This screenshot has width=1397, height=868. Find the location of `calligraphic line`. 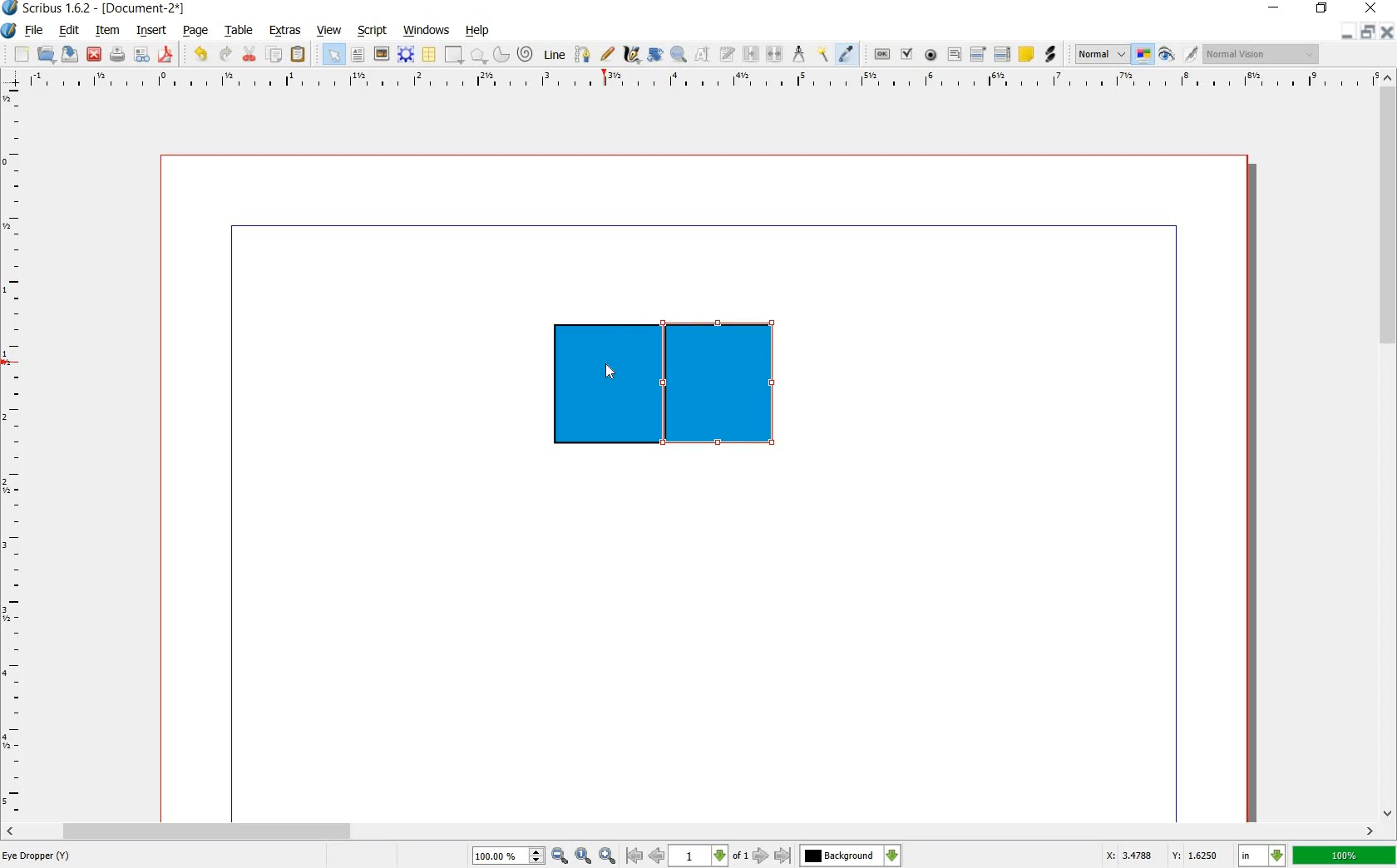

calligraphic line is located at coordinates (632, 55).